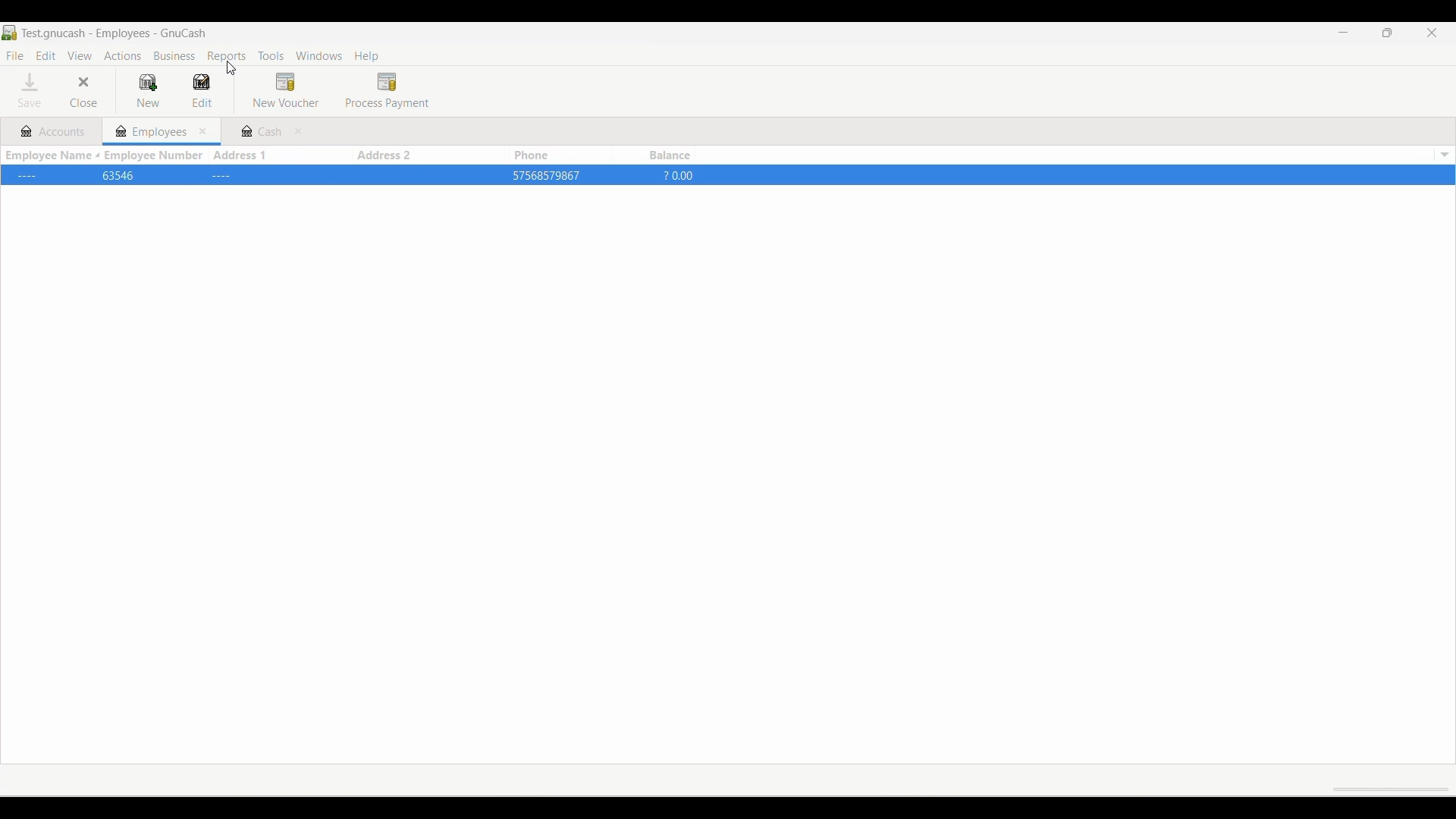 The image size is (1456, 819). What do you see at coordinates (174, 55) in the screenshot?
I see `Business` at bounding box center [174, 55].